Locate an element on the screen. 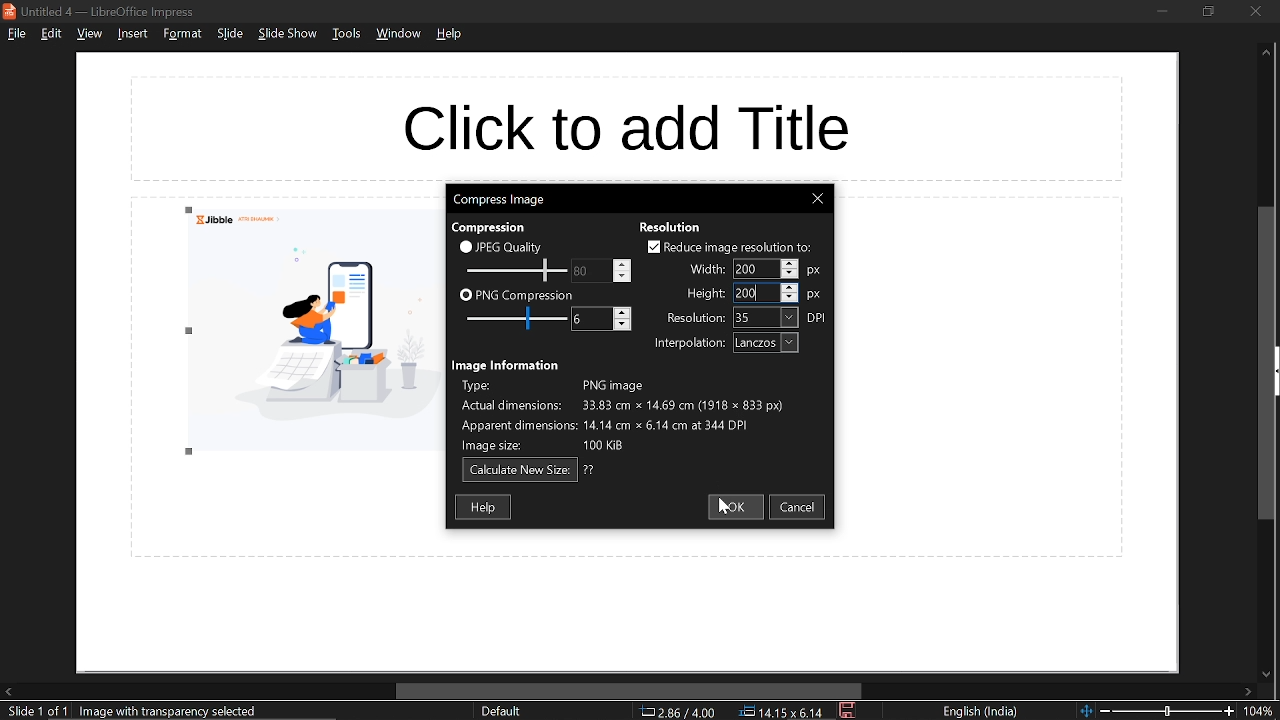  image with transparency selected is located at coordinates (174, 711).